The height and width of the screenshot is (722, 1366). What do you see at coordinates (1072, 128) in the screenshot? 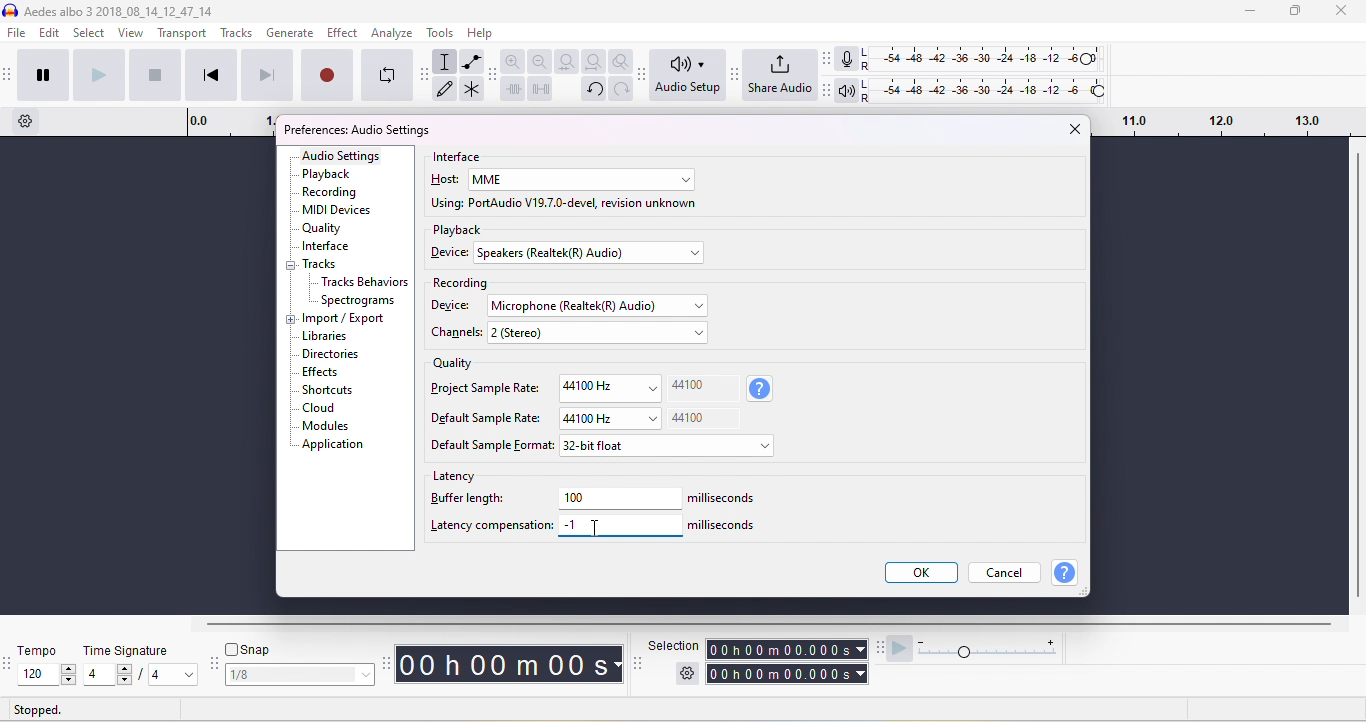
I see `close` at bounding box center [1072, 128].